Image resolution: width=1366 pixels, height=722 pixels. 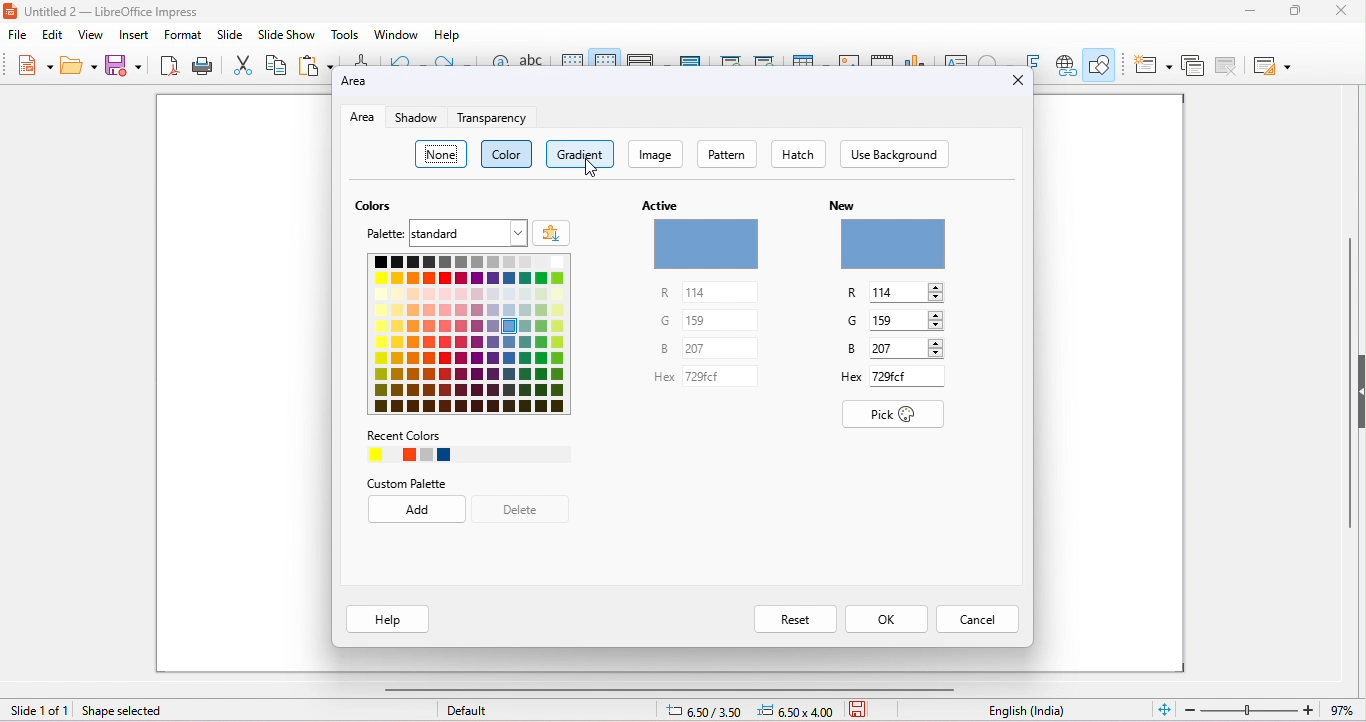 What do you see at coordinates (492, 117) in the screenshot?
I see `transparency` at bounding box center [492, 117].